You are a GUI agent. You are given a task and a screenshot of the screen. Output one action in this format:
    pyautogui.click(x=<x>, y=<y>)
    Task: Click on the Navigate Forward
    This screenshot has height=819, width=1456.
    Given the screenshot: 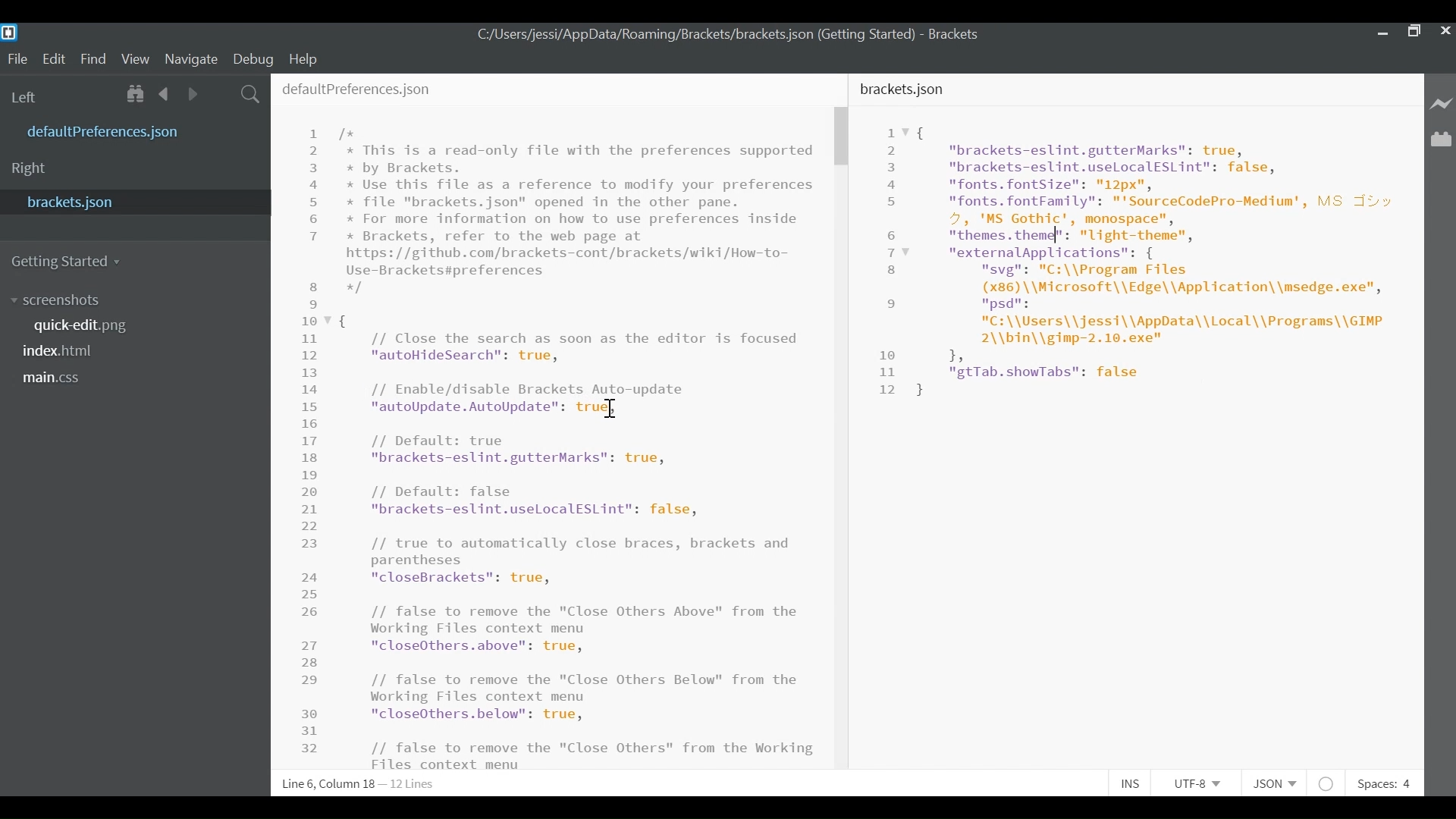 What is the action you would take?
    pyautogui.click(x=193, y=92)
    